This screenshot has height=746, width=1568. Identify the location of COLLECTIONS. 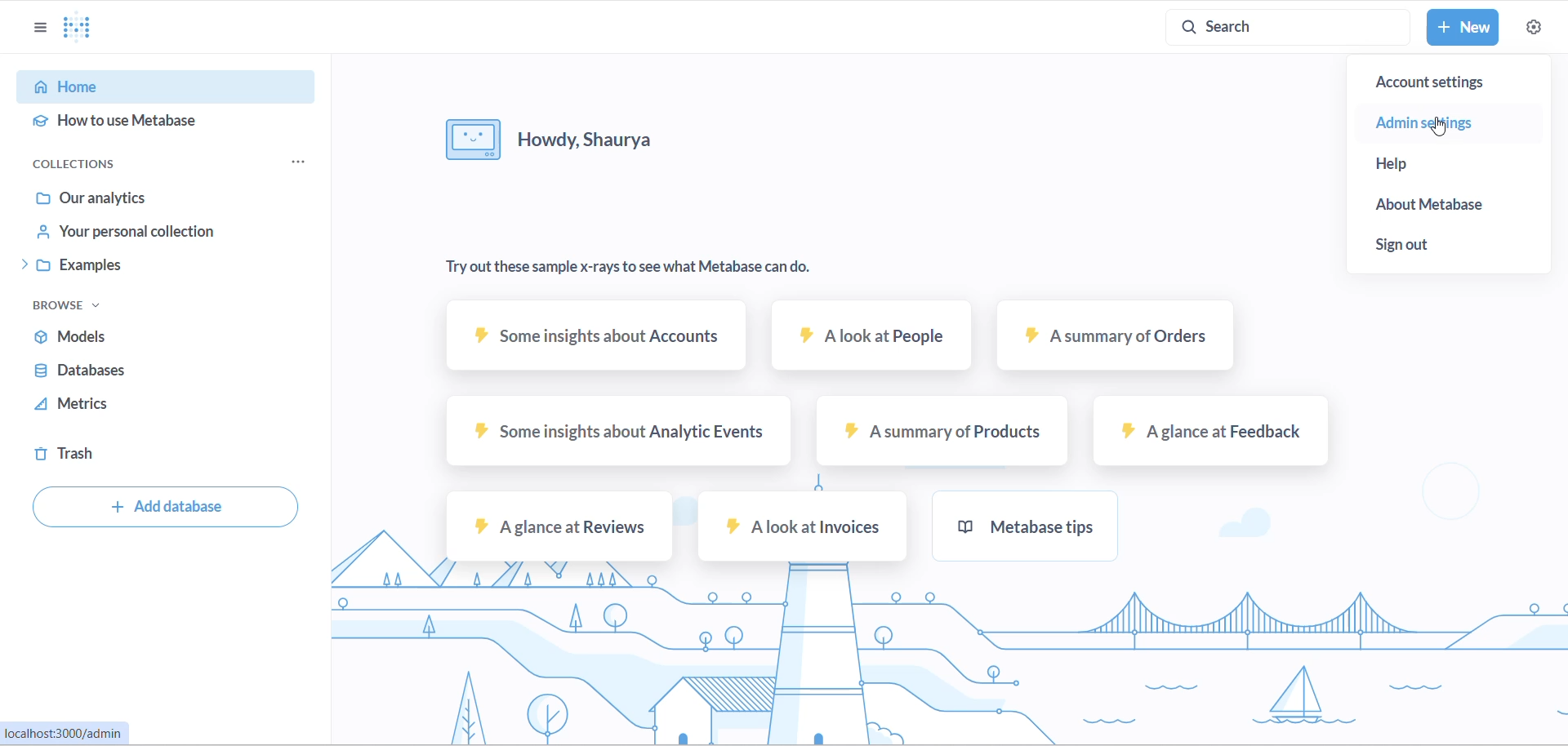
(96, 167).